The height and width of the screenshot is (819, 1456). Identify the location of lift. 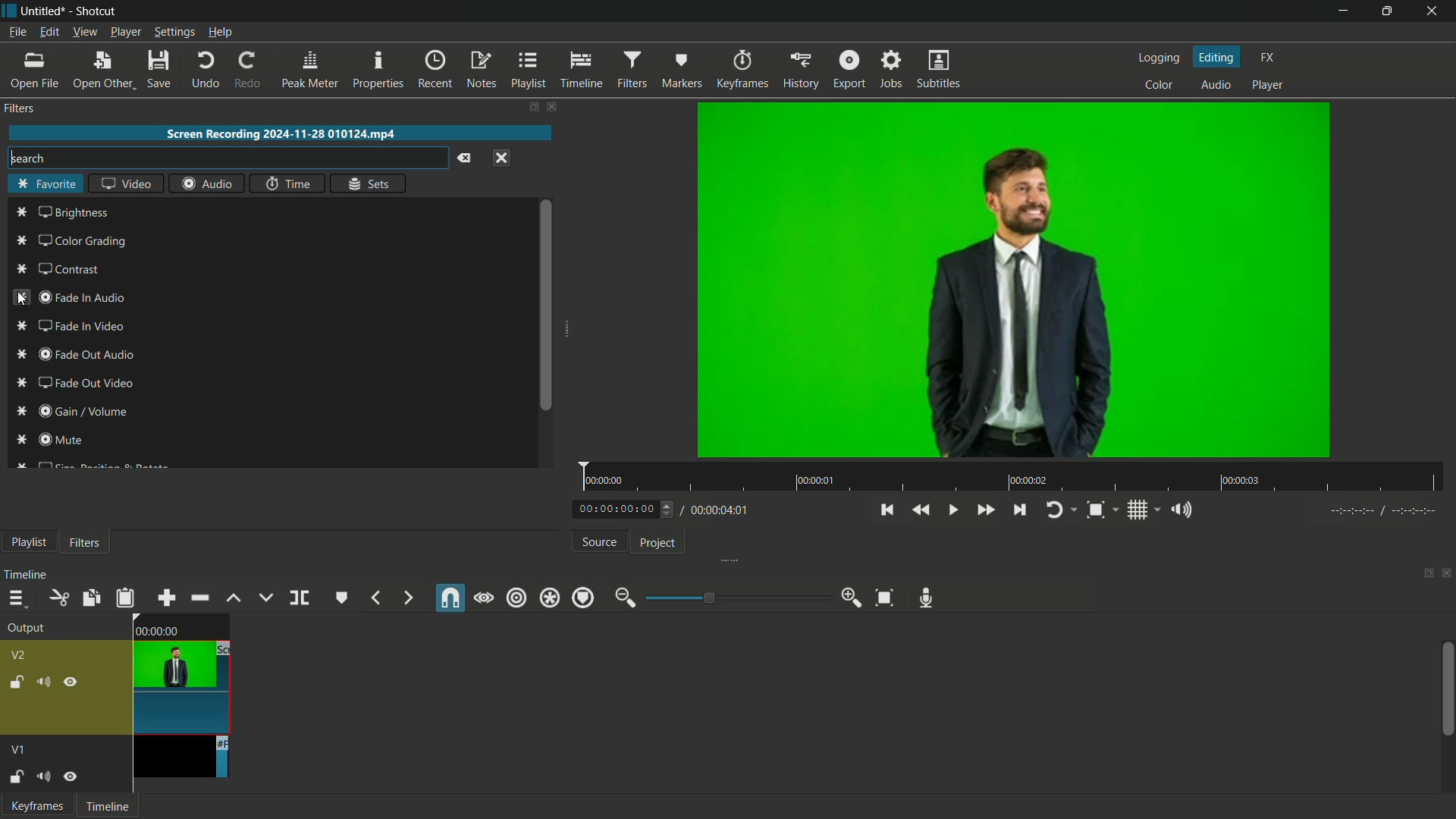
(235, 598).